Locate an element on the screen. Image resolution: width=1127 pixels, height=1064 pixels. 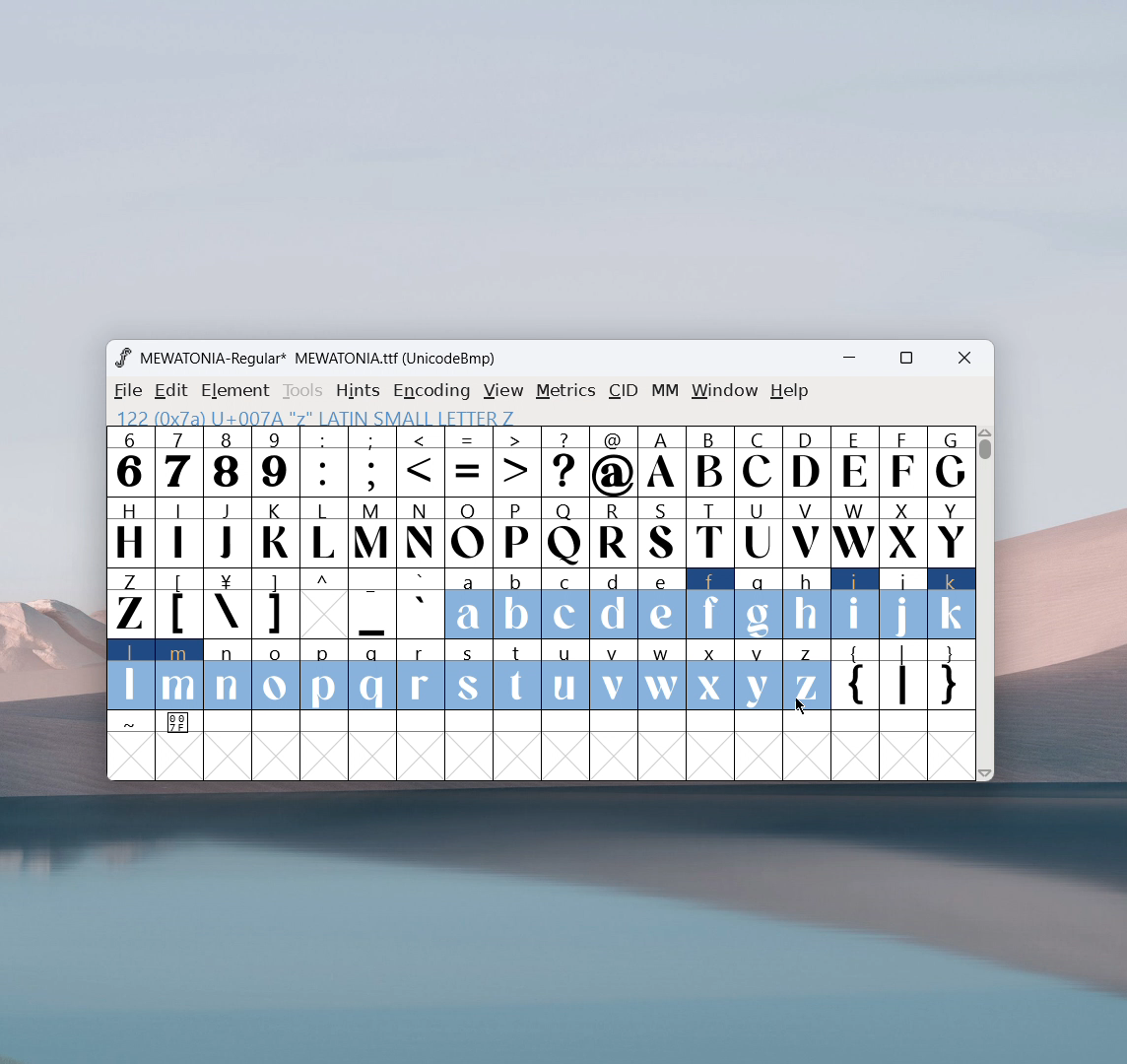
O is located at coordinates (469, 532).